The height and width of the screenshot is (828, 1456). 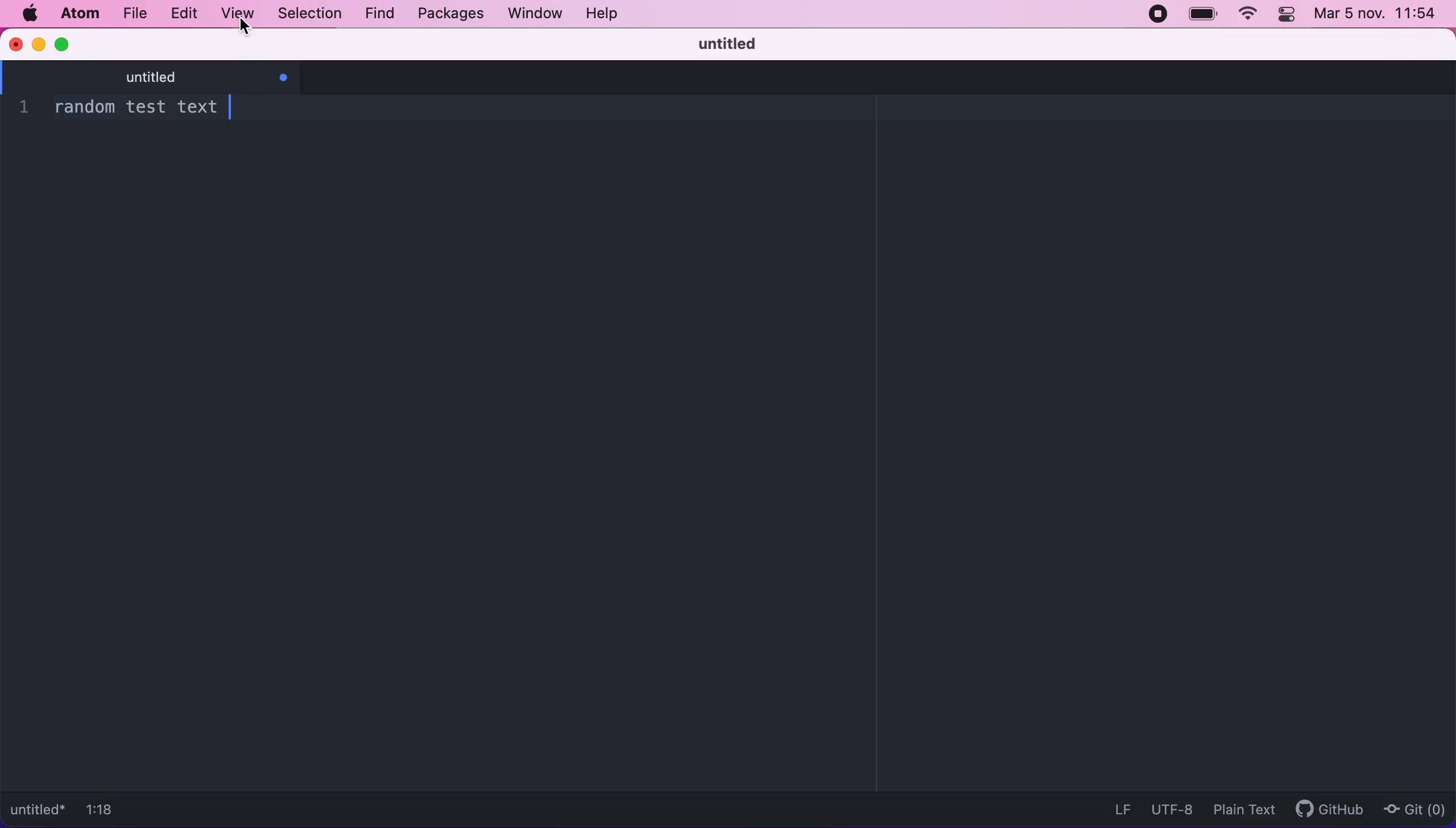 I want to click on window, so click(x=531, y=15).